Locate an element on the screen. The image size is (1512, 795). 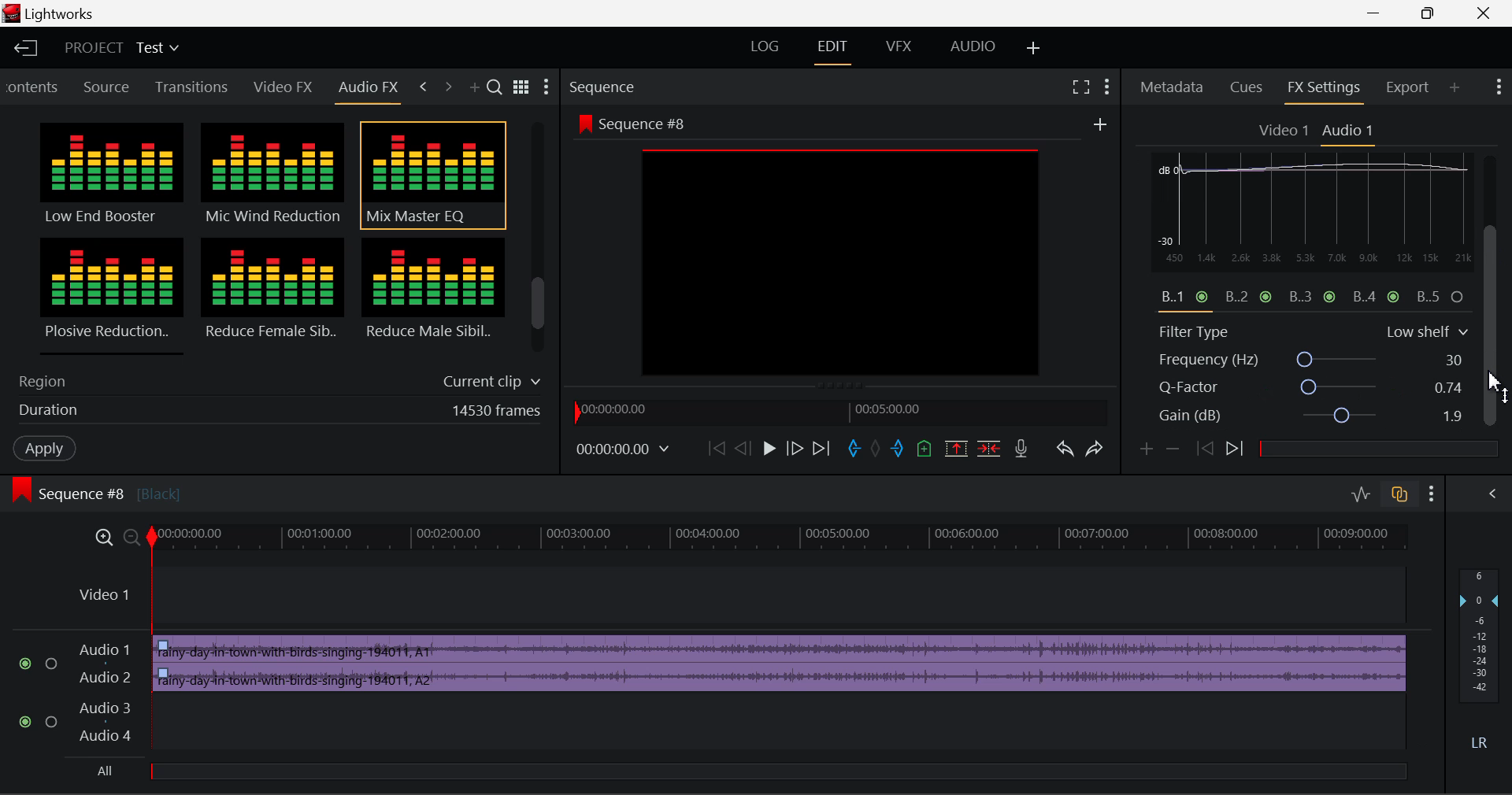
Low End Booster is located at coordinates (109, 175).